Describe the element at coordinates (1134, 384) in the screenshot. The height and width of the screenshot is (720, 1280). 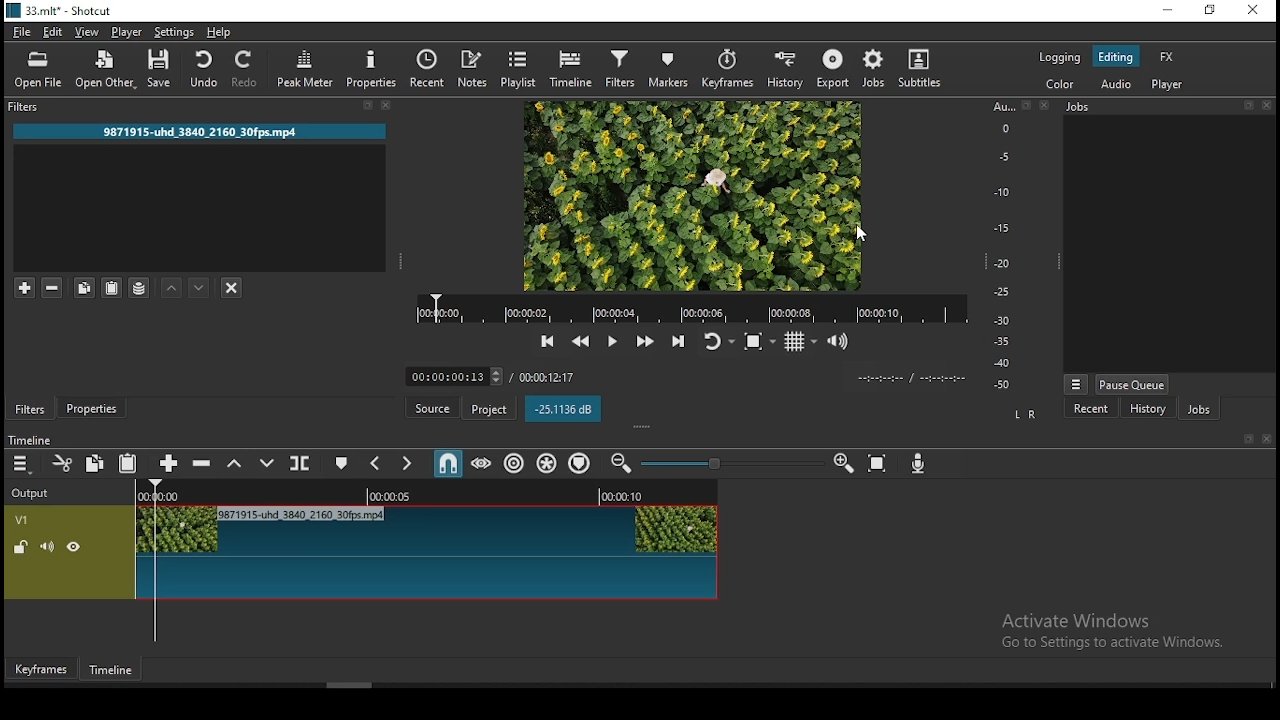
I see `pause queue` at that location.